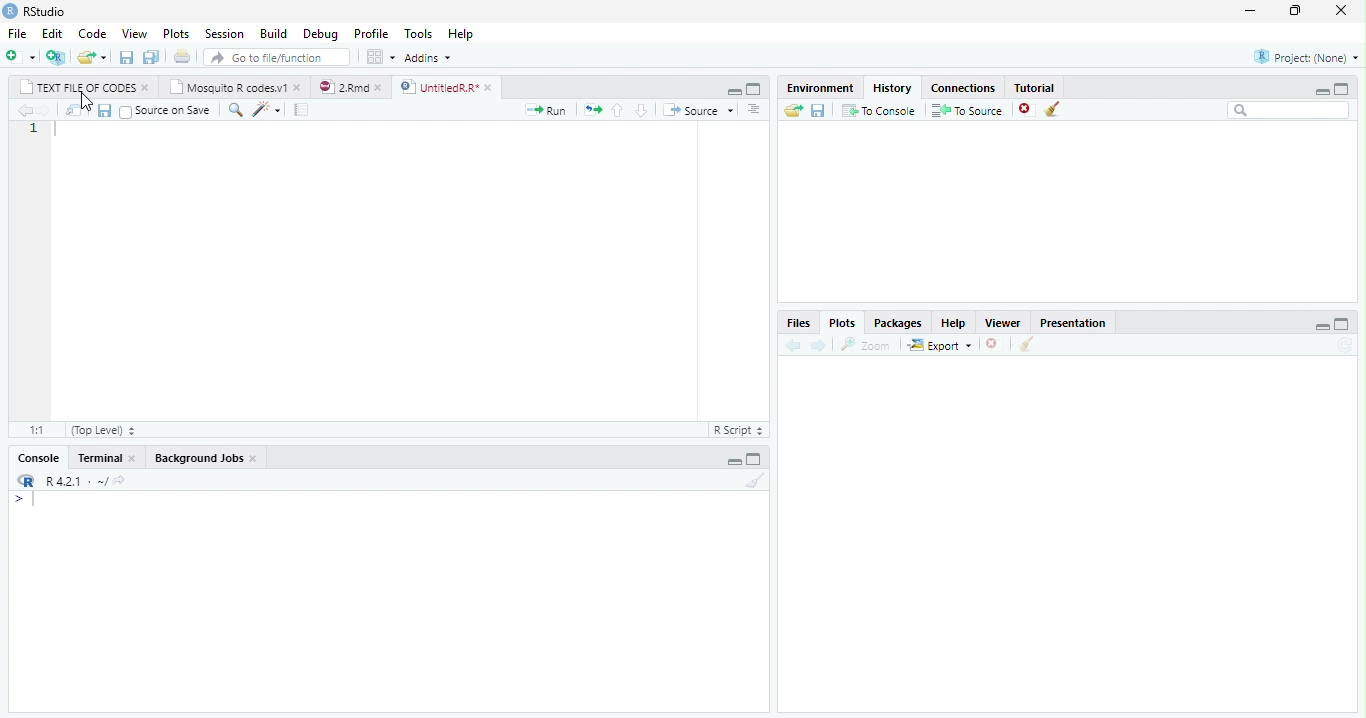 The width and height of the screenshot is (1366, 718). What do you see at coordinates (234, 109) in the screenshot?
I see `find and replace` at bounding box center [234, 109].